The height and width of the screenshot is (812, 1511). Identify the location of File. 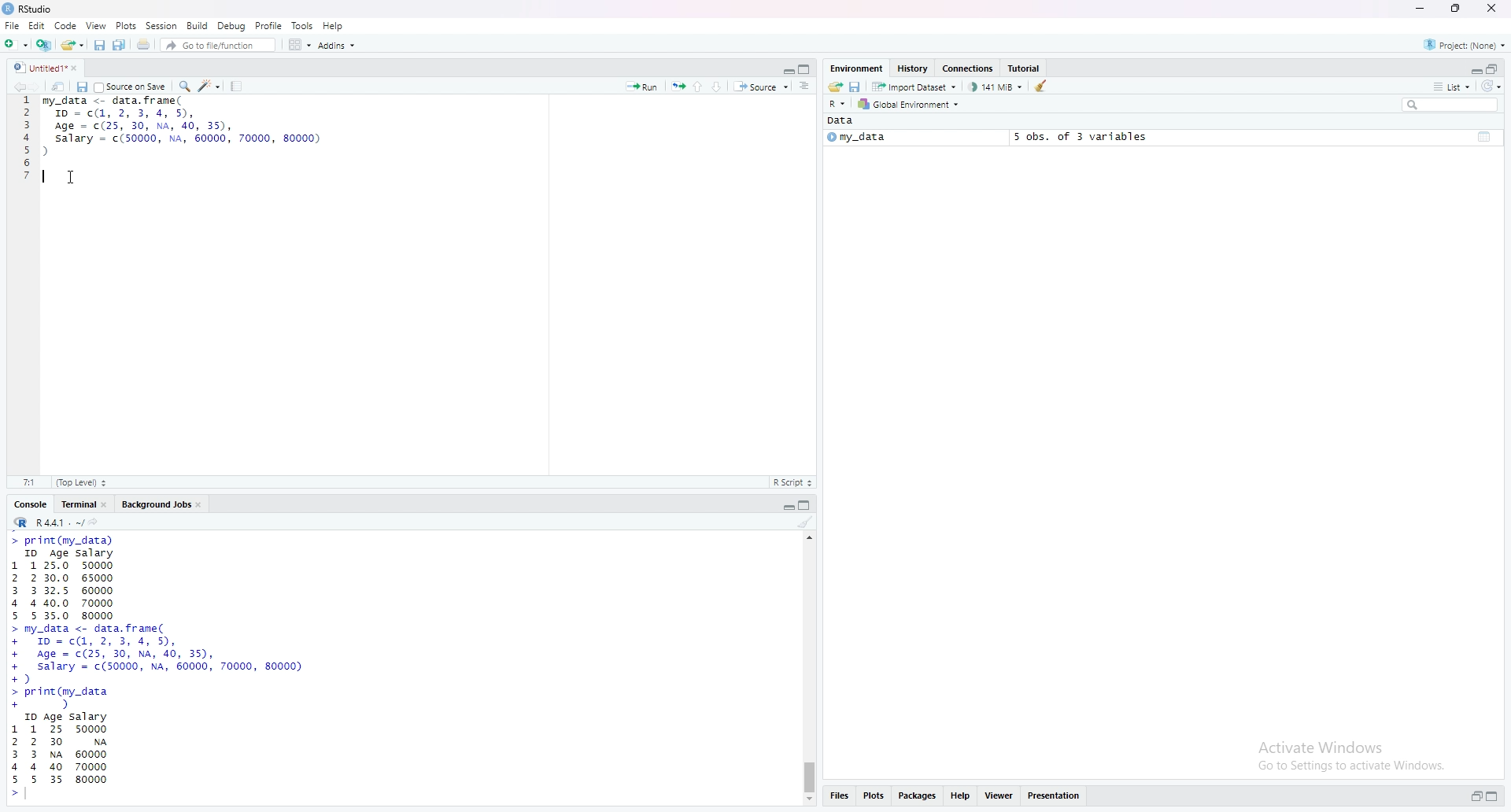
(13, 25).